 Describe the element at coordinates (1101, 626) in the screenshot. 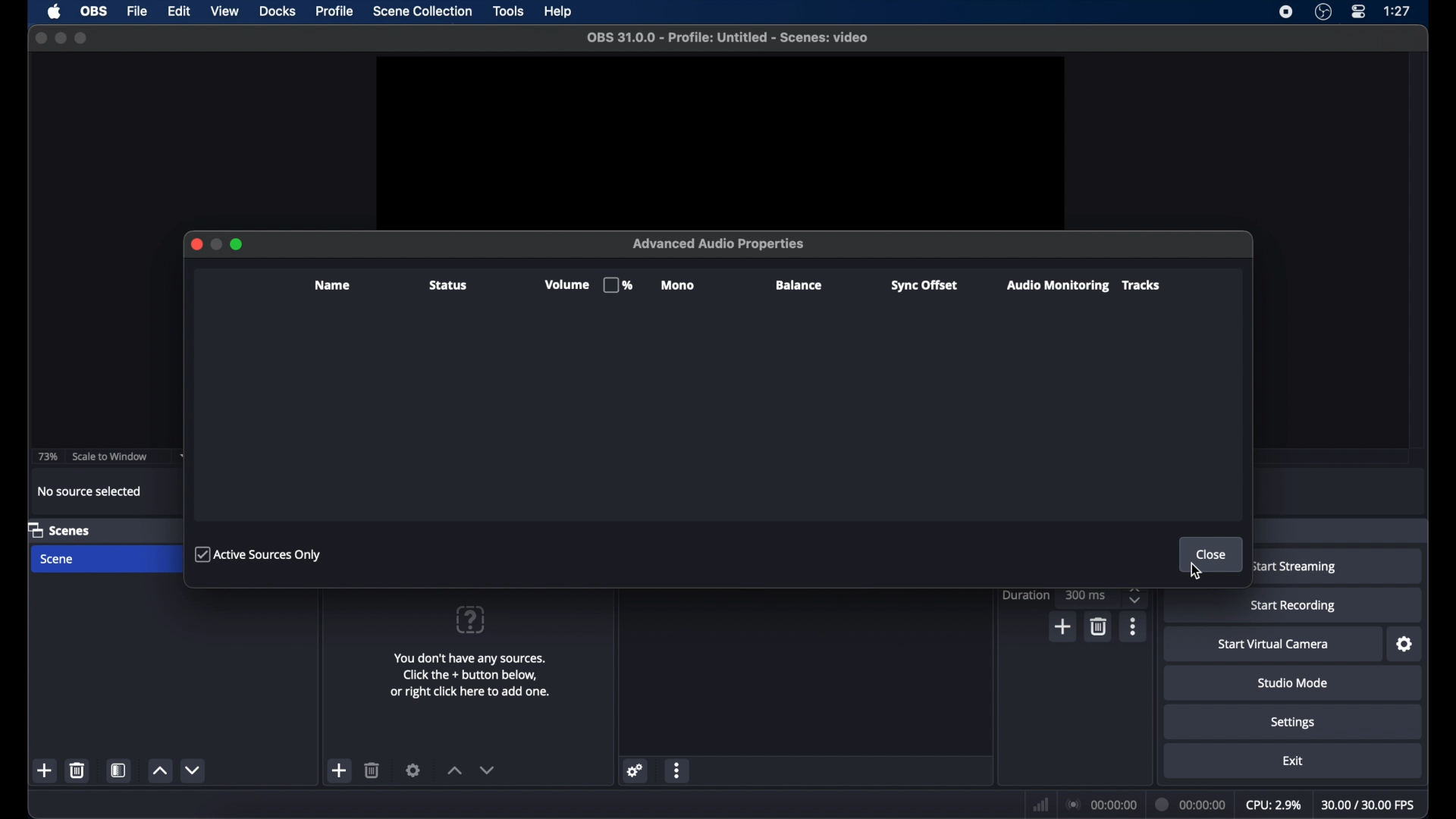

I see `delete` at that location.